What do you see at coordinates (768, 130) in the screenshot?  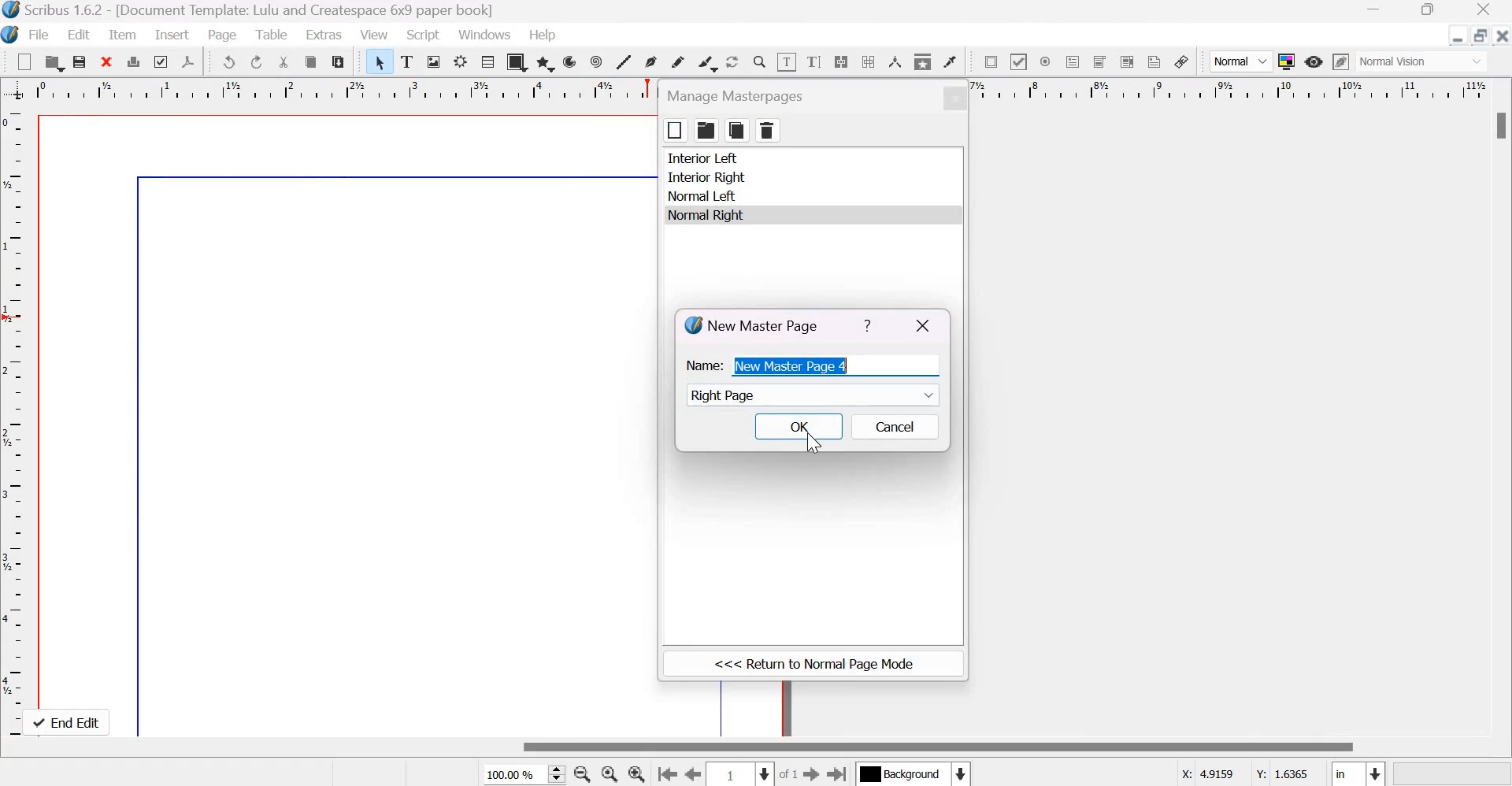 I see `delete` at bounding box center [768, 130].